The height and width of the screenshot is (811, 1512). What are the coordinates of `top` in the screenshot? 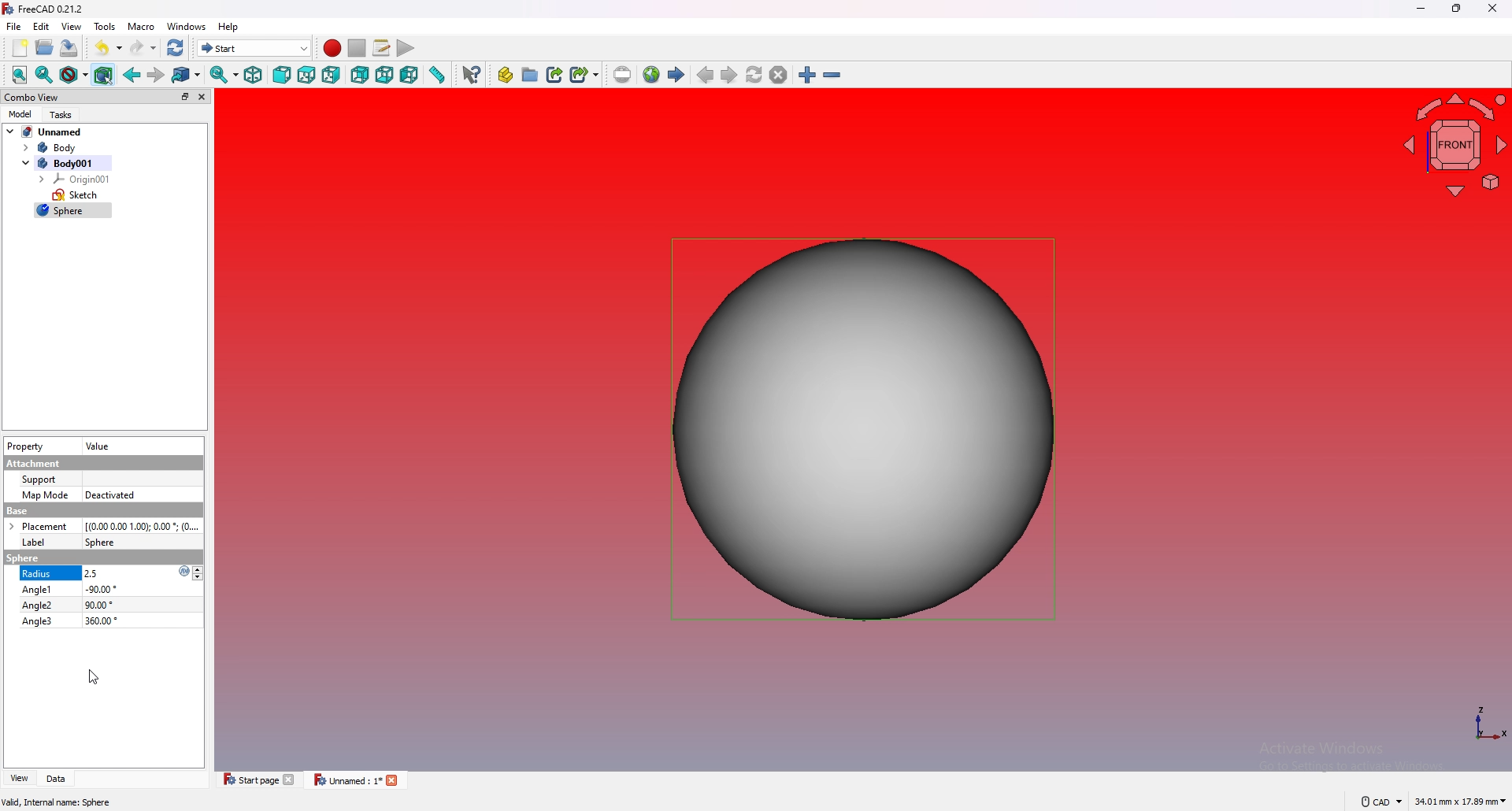 It's located at (306, 75).